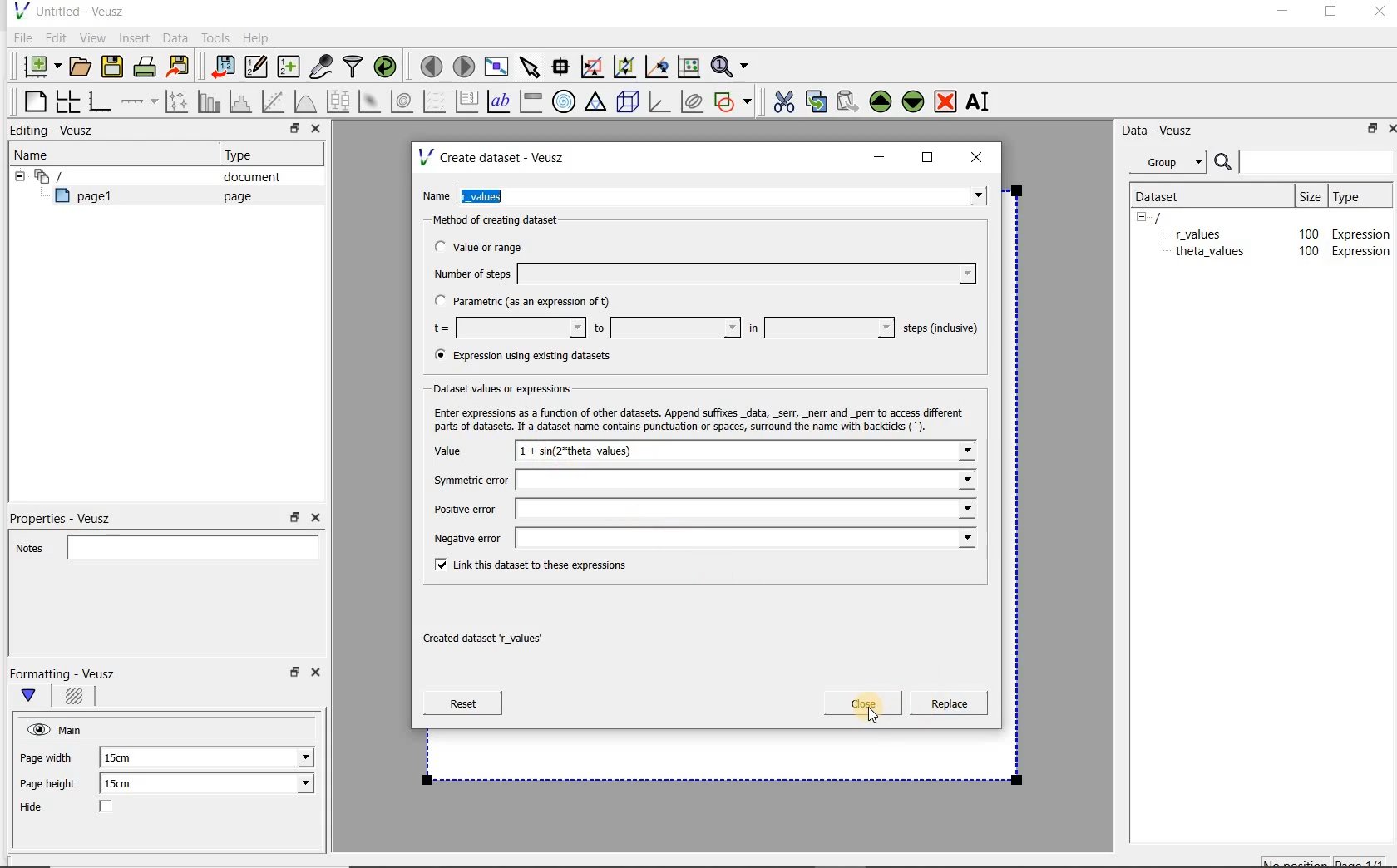 This screenshot has width=1397, height=868. I want to click on polar graph, so click(565, 101).